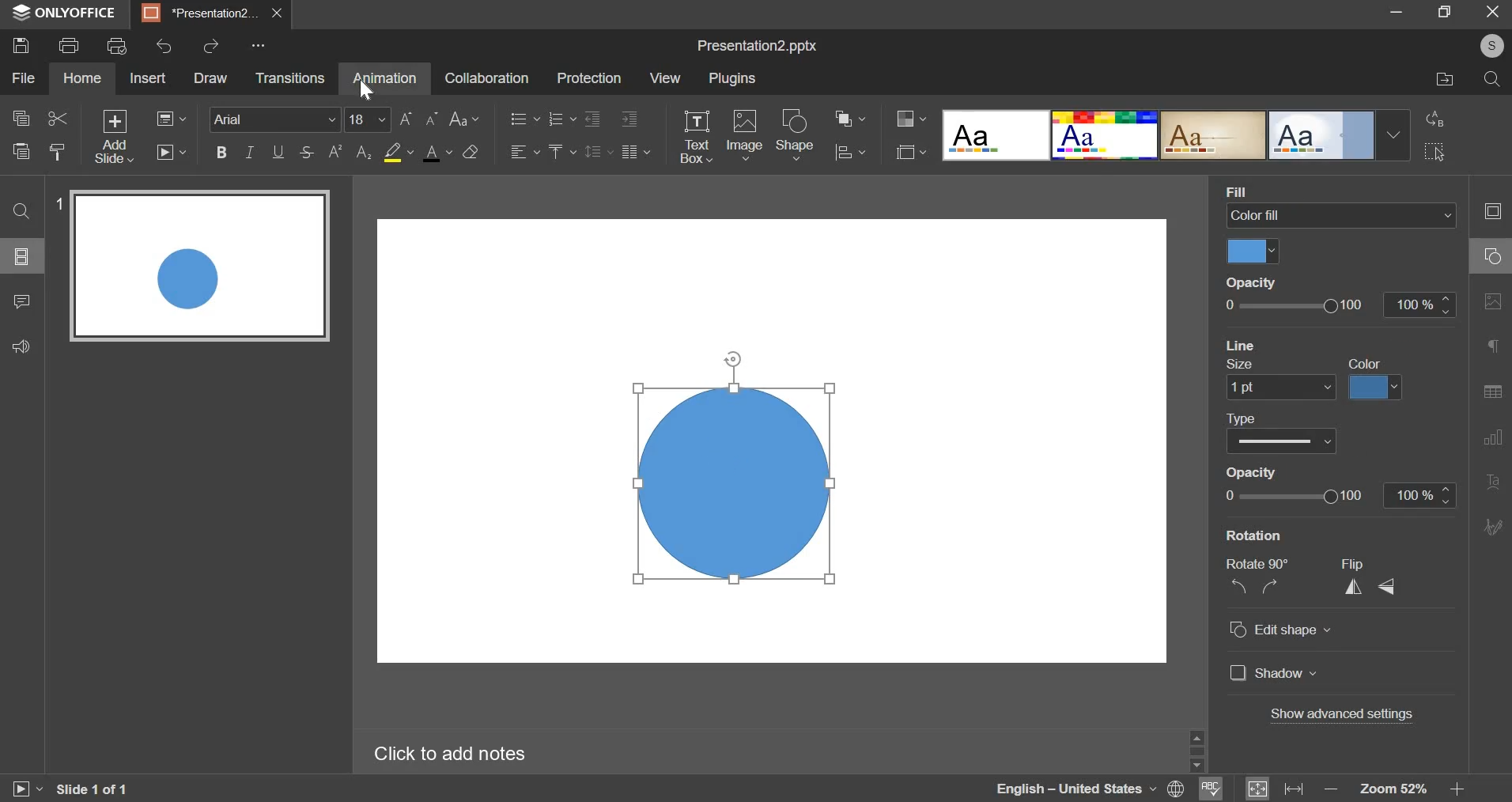 This screenshot has height=802, width=1512. Describe the element at coordinates (368, 119) in the screenshot. I see `font size` at that location.